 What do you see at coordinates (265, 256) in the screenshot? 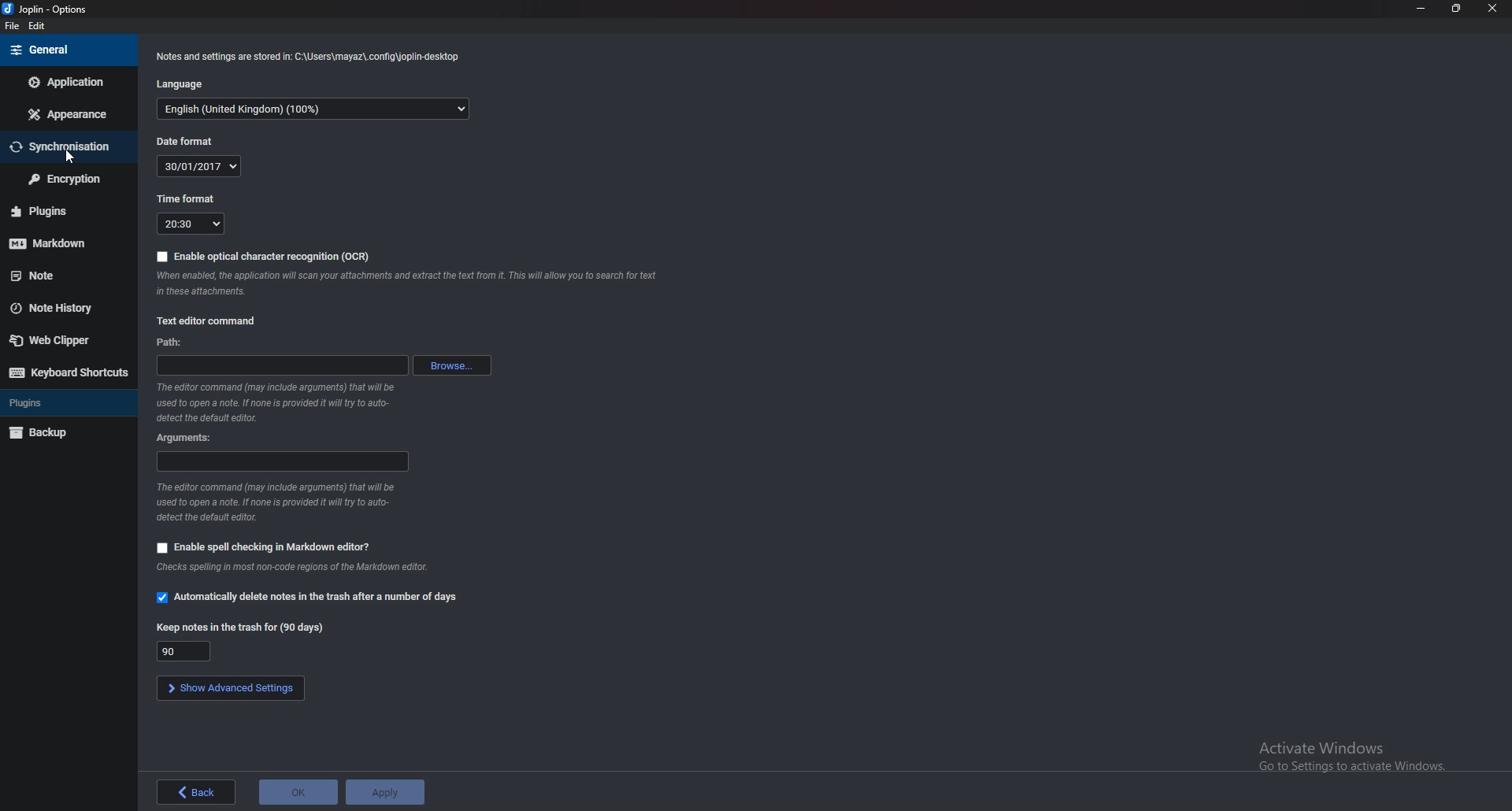
I see `enable ocr` at bounding box center [265, 256].